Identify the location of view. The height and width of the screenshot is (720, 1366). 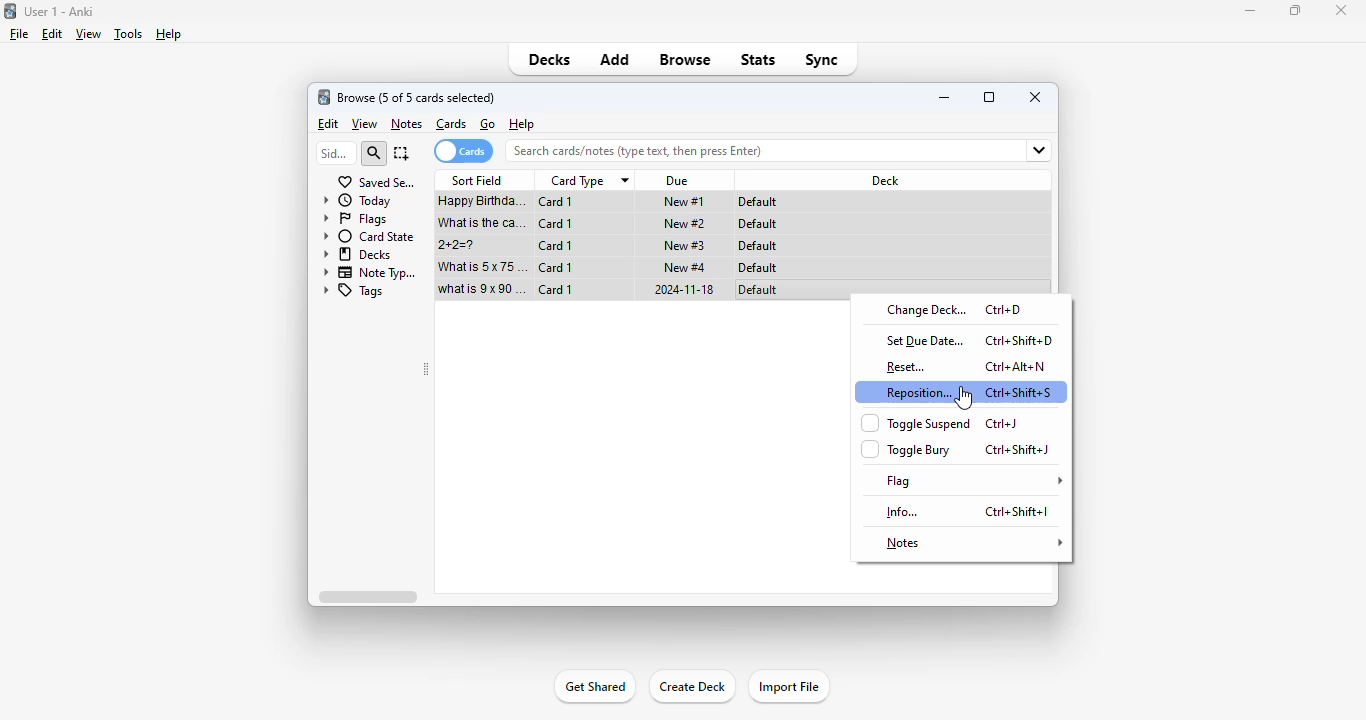
(365, 124).